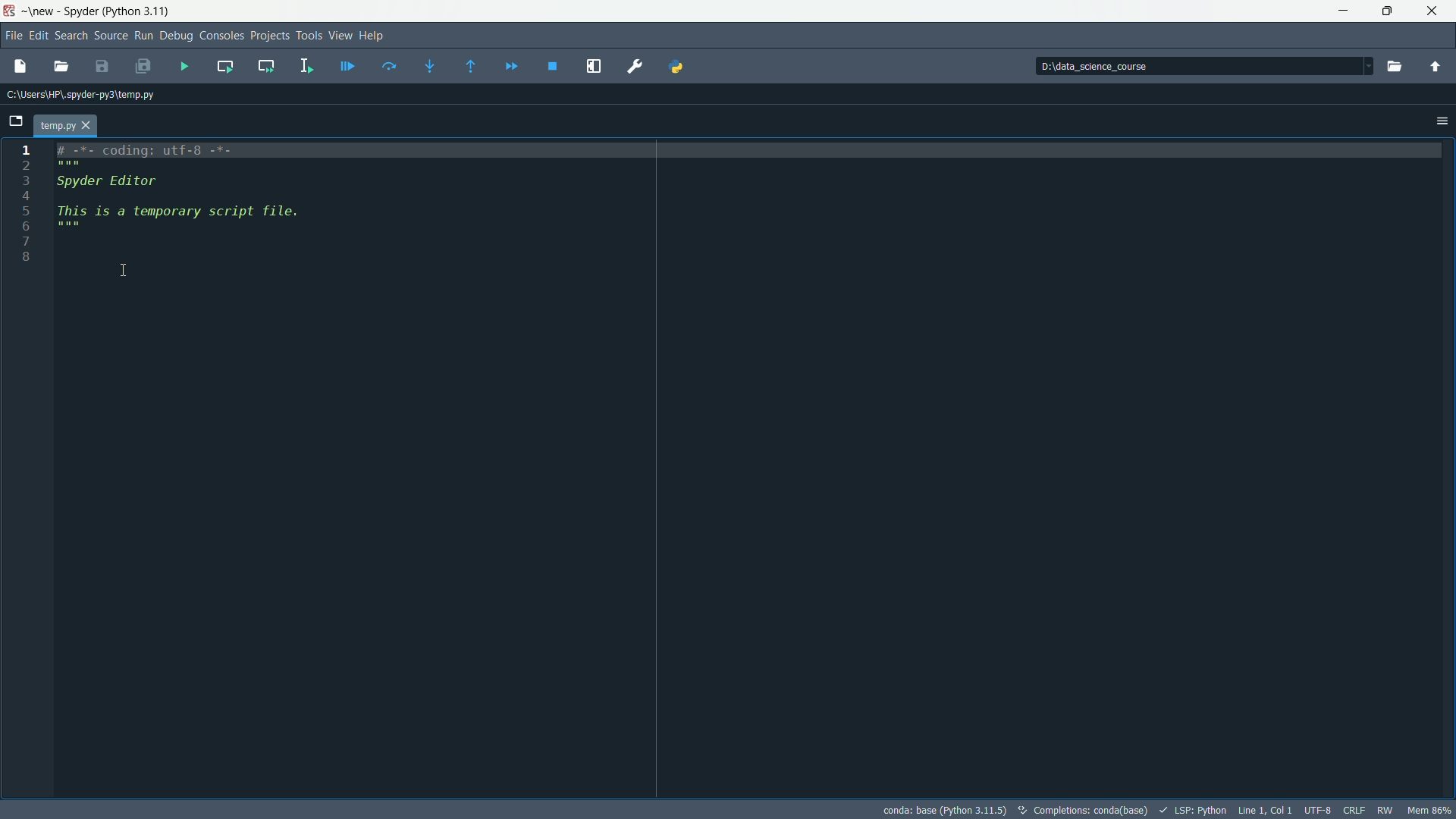 Image resolution: width=1456 pixels, height=819 pixels. What do you see at coordinates (1384, 10) in the screenshot?
I see `maximize` at bounding box center [1384, 10].